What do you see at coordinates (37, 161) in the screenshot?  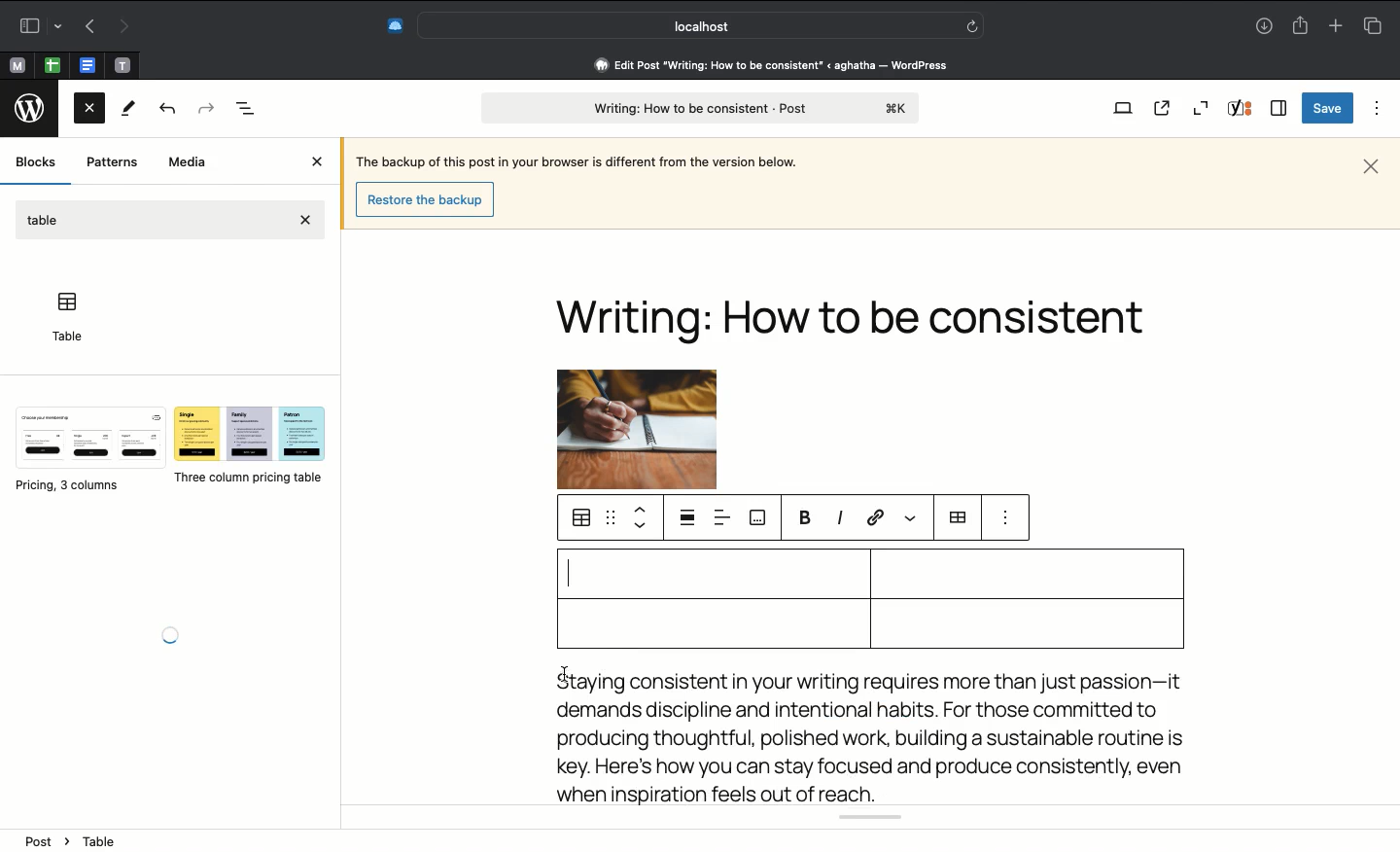 I see `Blocks` at bounding box center [37, 161].